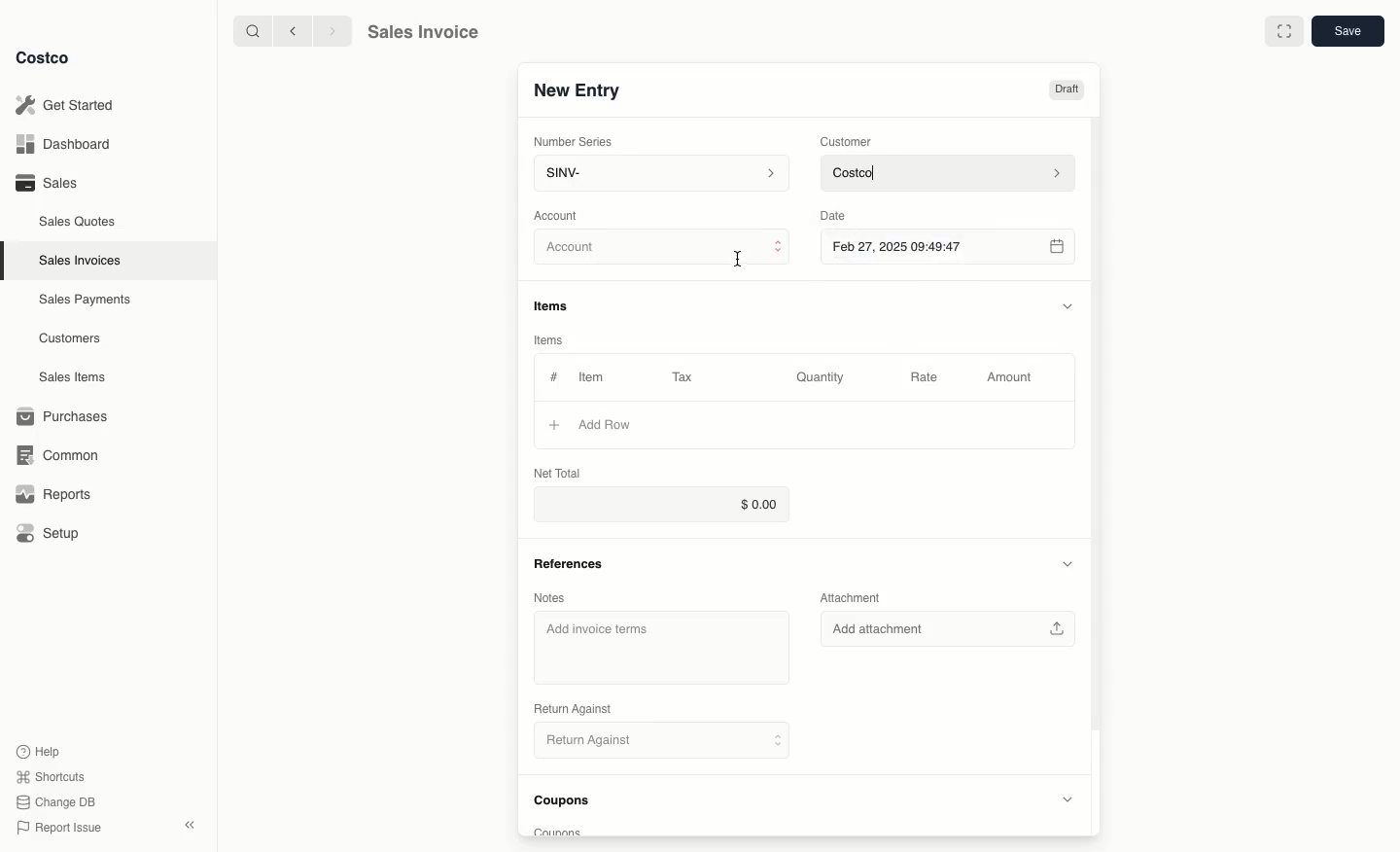 The width and height of the screenshot is (1400, 852). I want to click on backward, so click(289, 30).